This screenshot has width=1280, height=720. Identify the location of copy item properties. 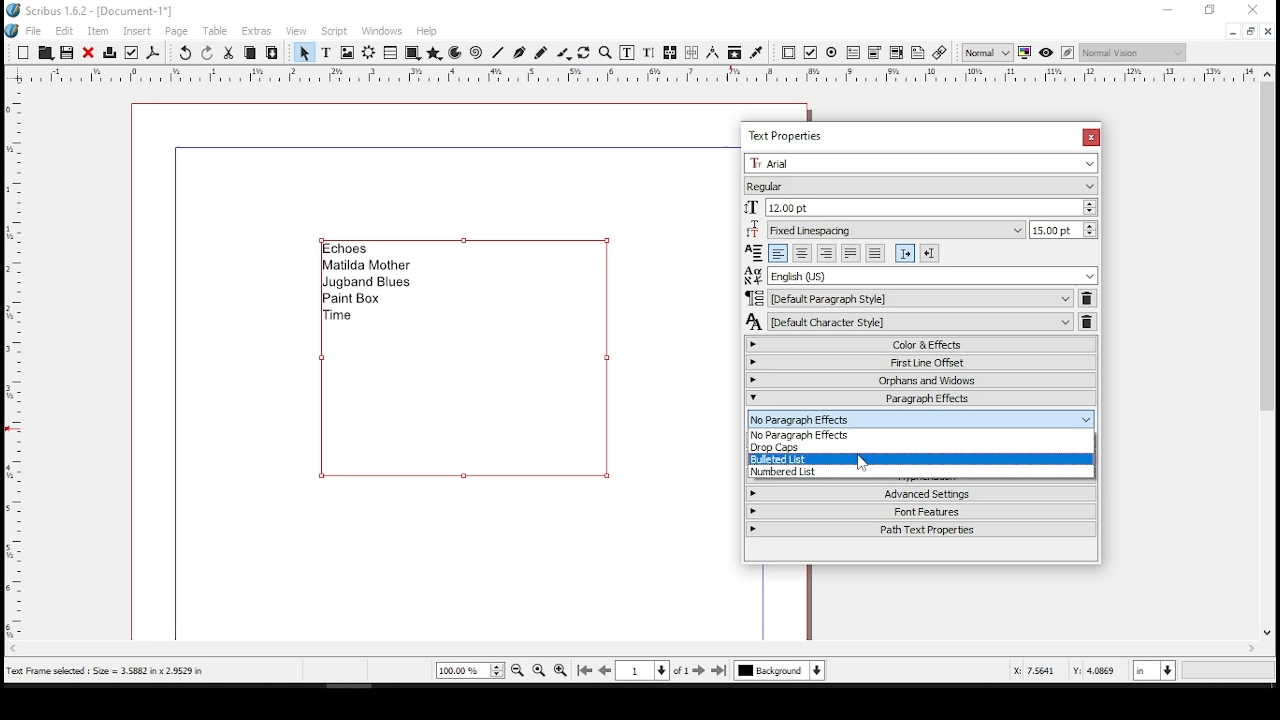
(732, 52).